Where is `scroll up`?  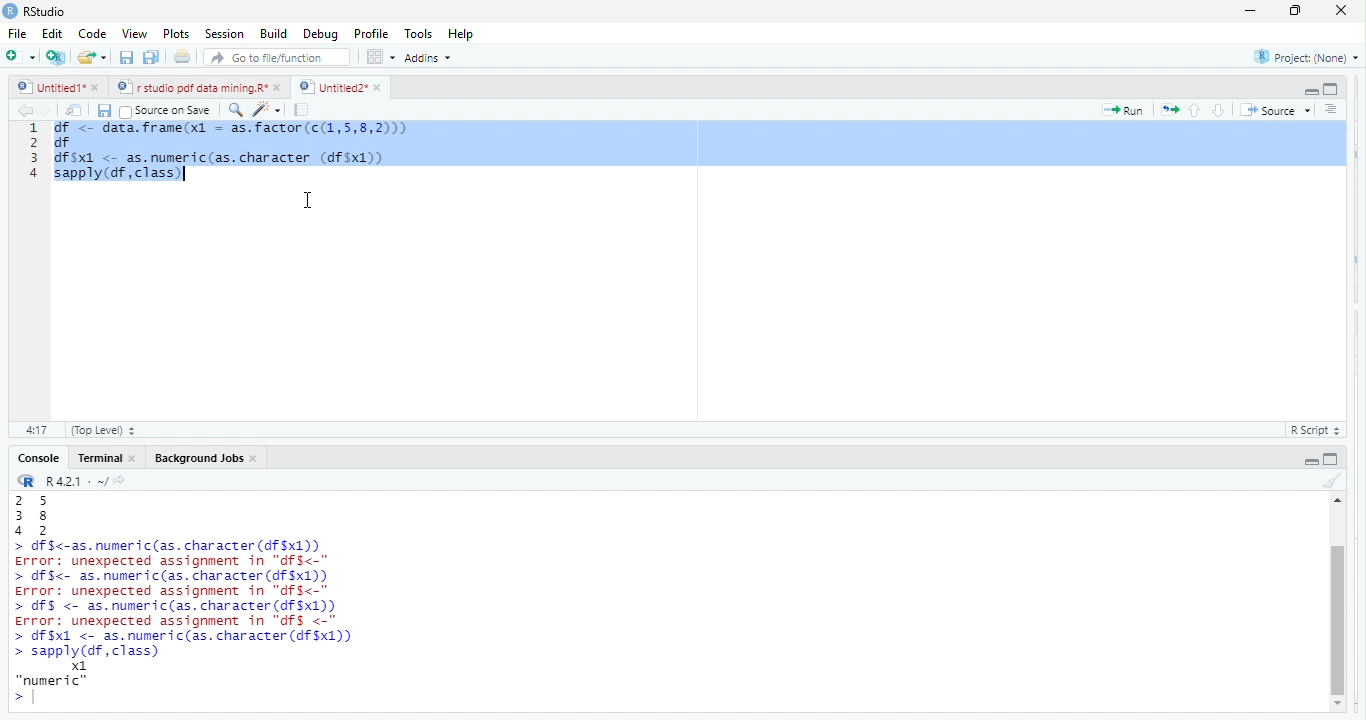 scroll up is located at coordinates (1339, 500).